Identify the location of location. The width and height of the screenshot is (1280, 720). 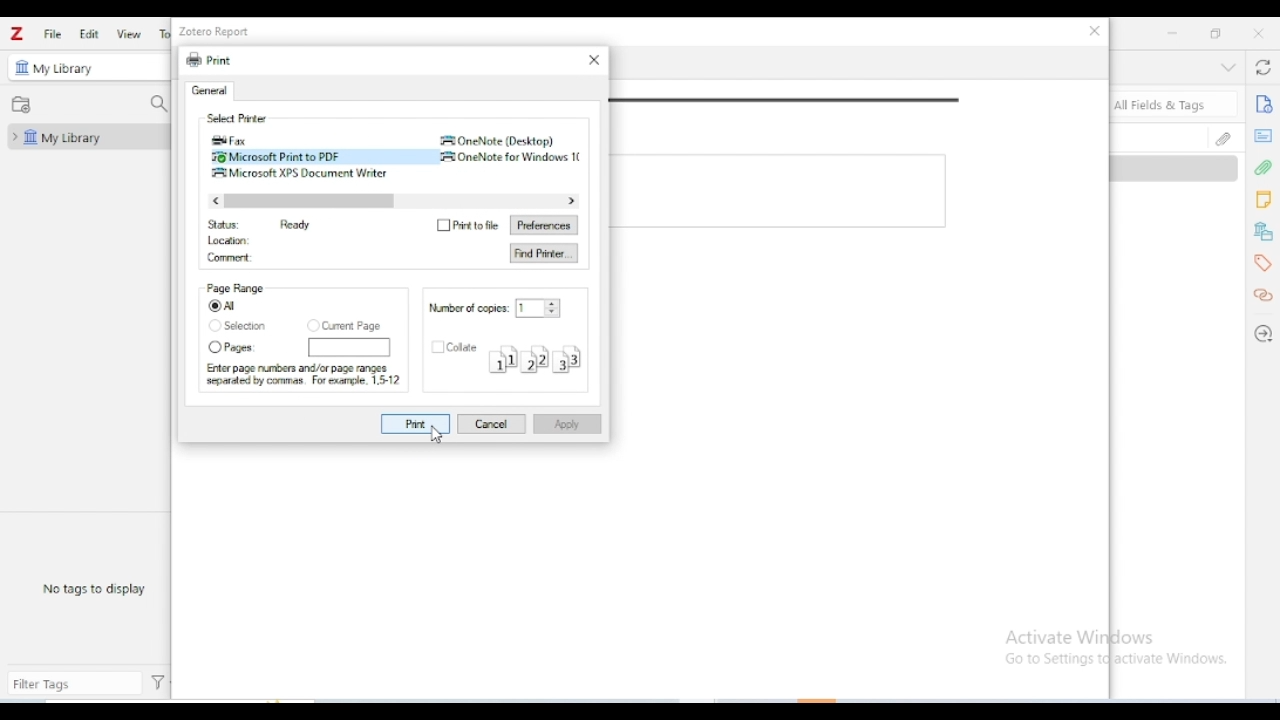
(228, 241).